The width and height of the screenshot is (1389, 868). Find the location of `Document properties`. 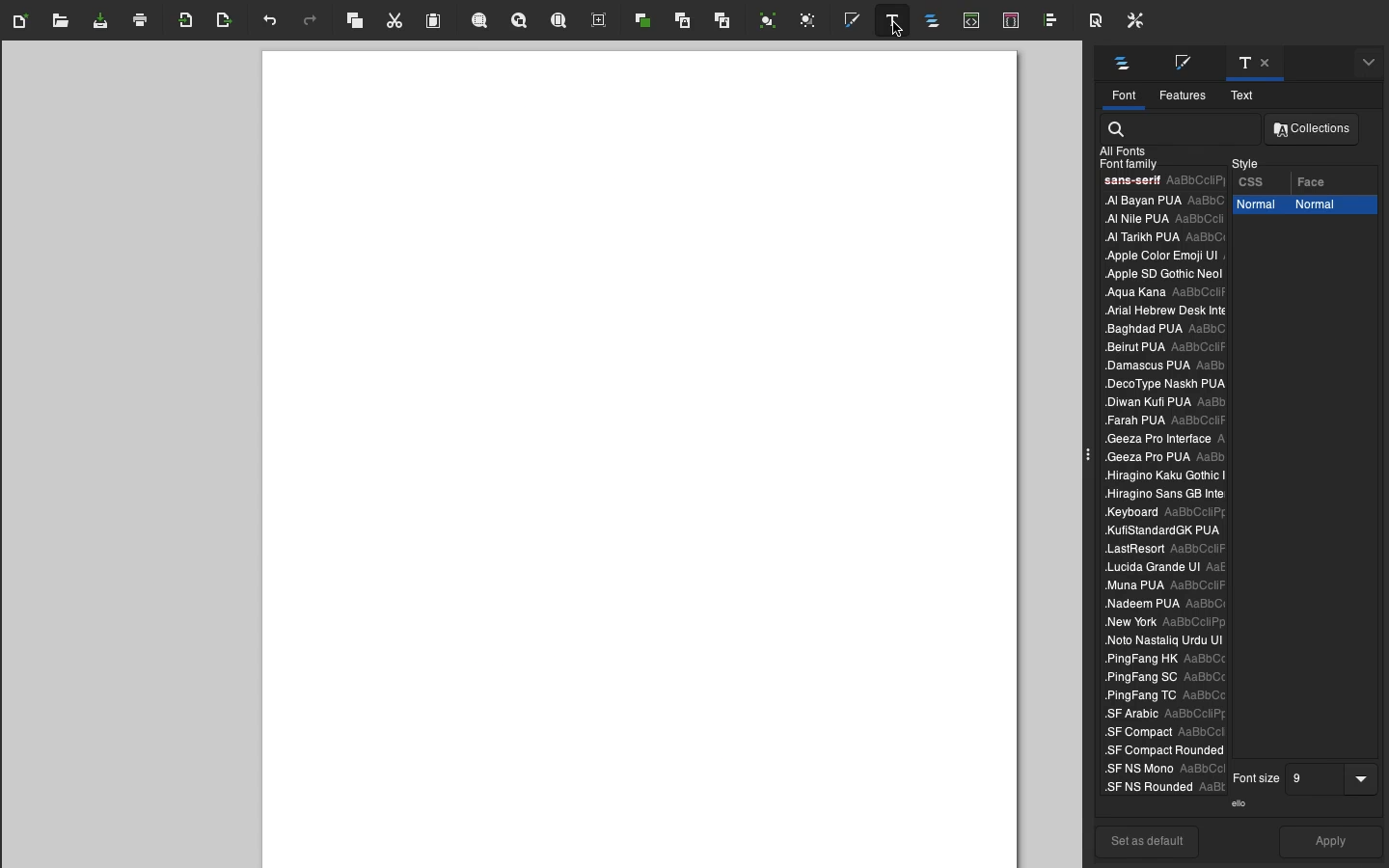

Document properties is located at coordinates (1093, 20).